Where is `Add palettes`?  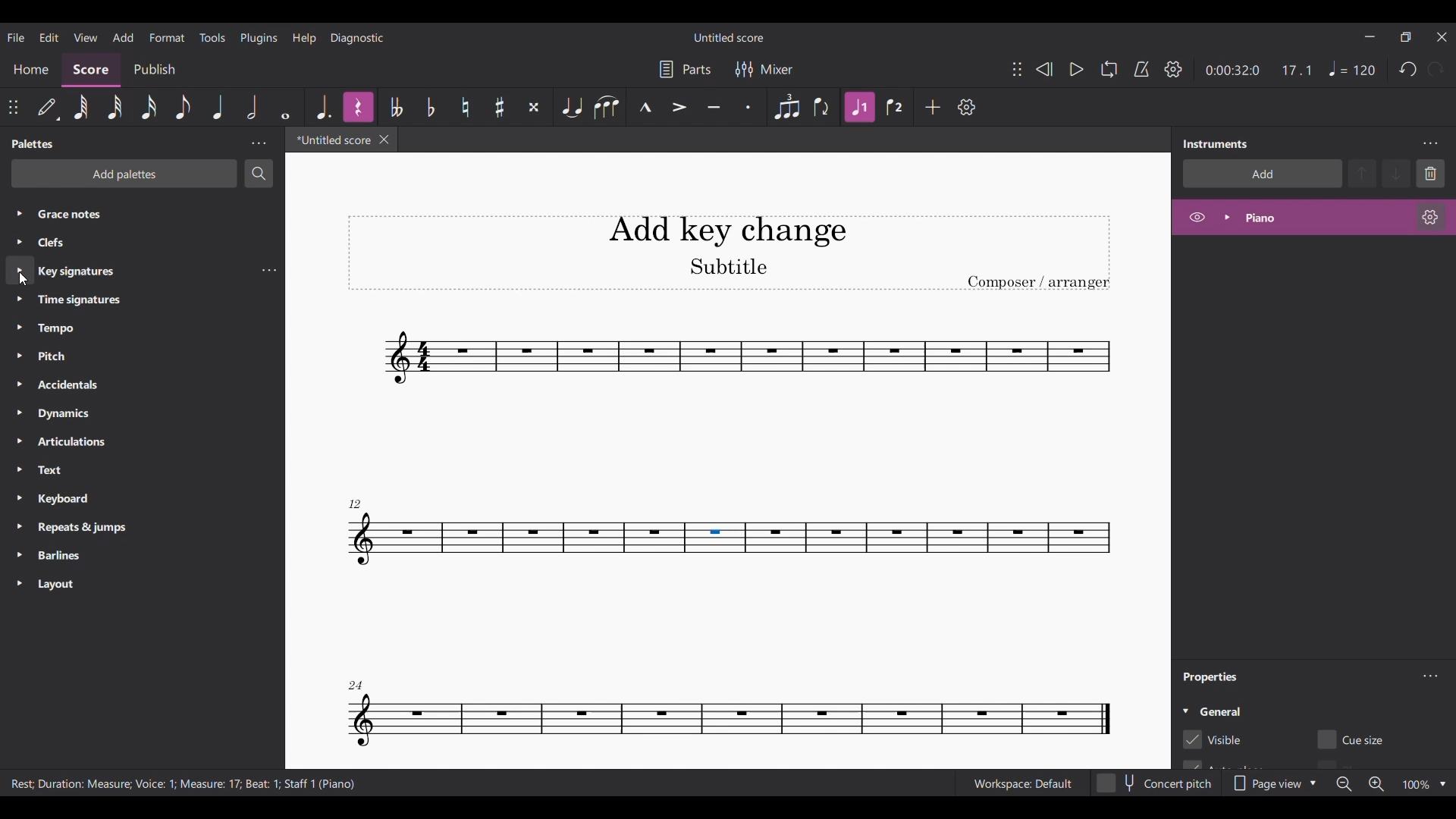 Add palettes is located at coordinates (124, 174).